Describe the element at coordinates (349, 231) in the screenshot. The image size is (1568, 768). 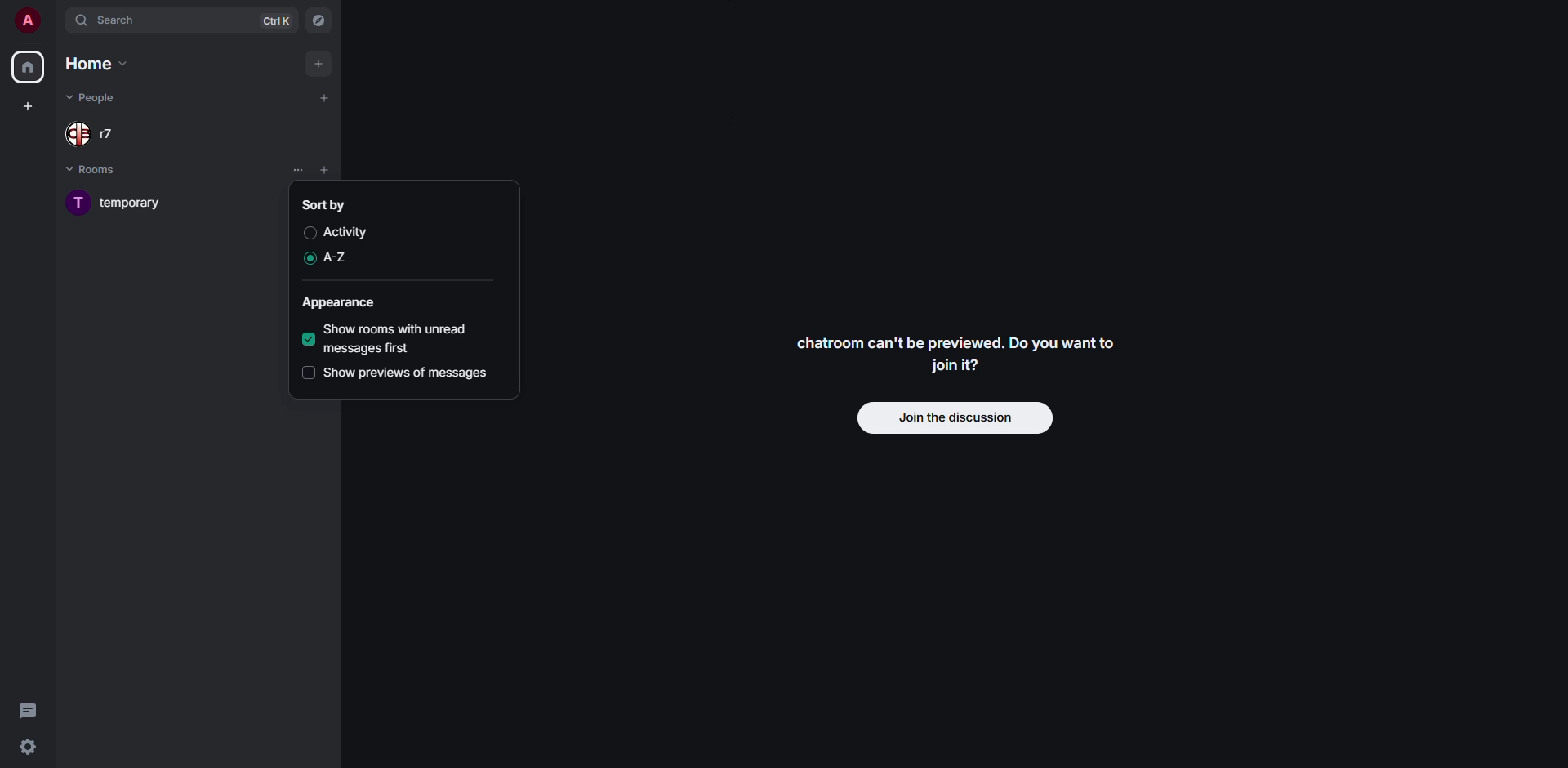
I see `activity` at that location.